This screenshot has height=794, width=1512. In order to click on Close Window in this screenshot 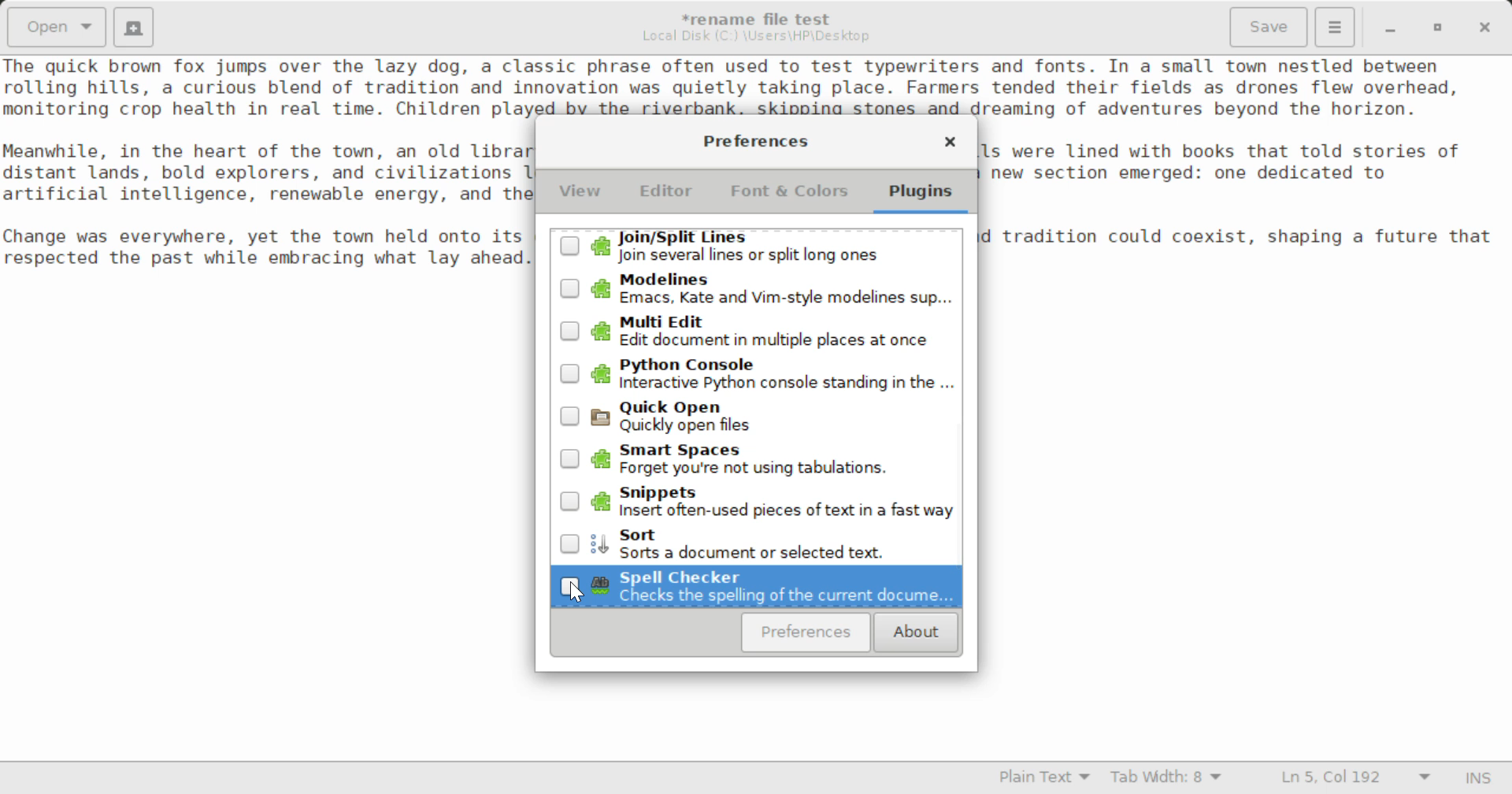, I will do `click(950, 144)`.